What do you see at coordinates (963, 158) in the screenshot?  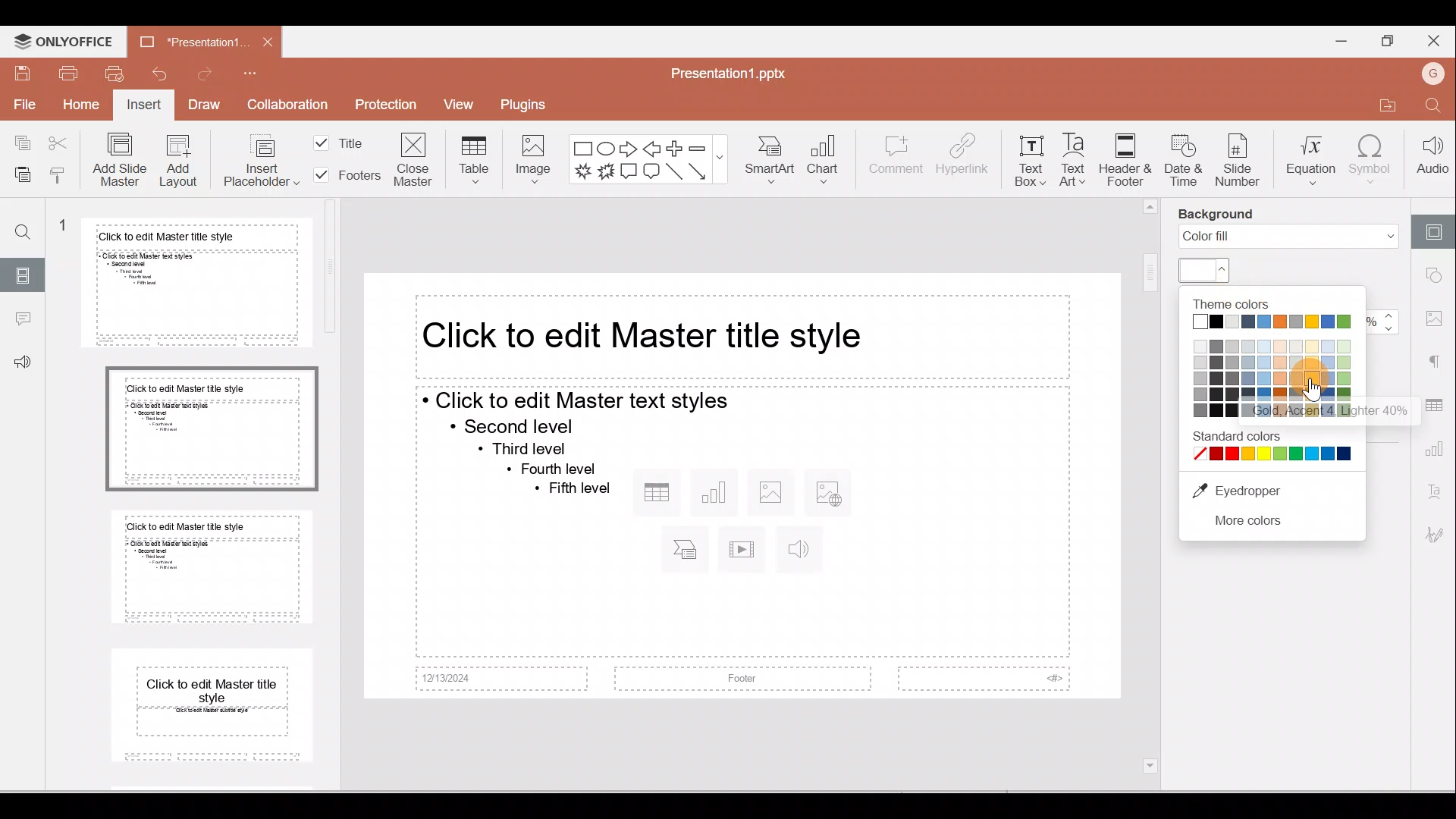 I see `Hyperlink` at bounding box center [963, 158].